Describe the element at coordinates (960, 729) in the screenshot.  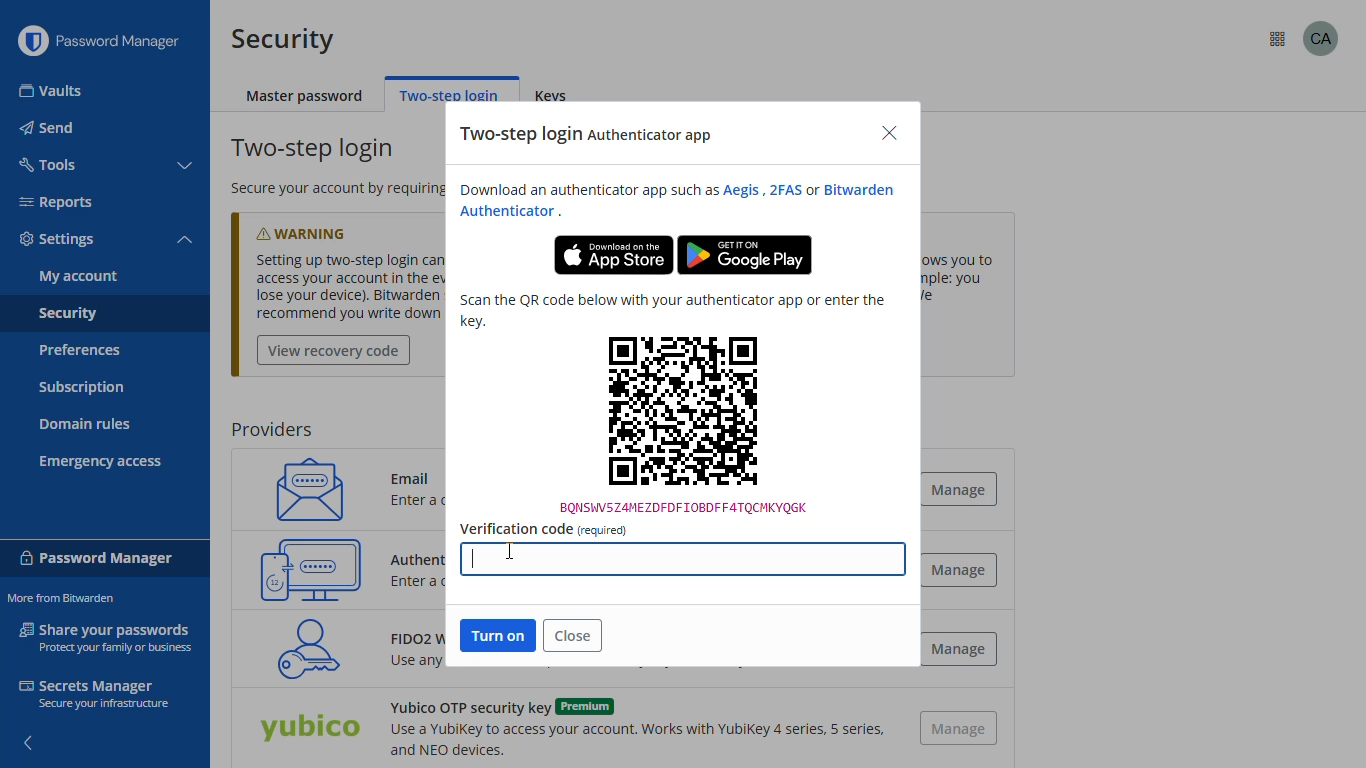
I see `manage` at that location.